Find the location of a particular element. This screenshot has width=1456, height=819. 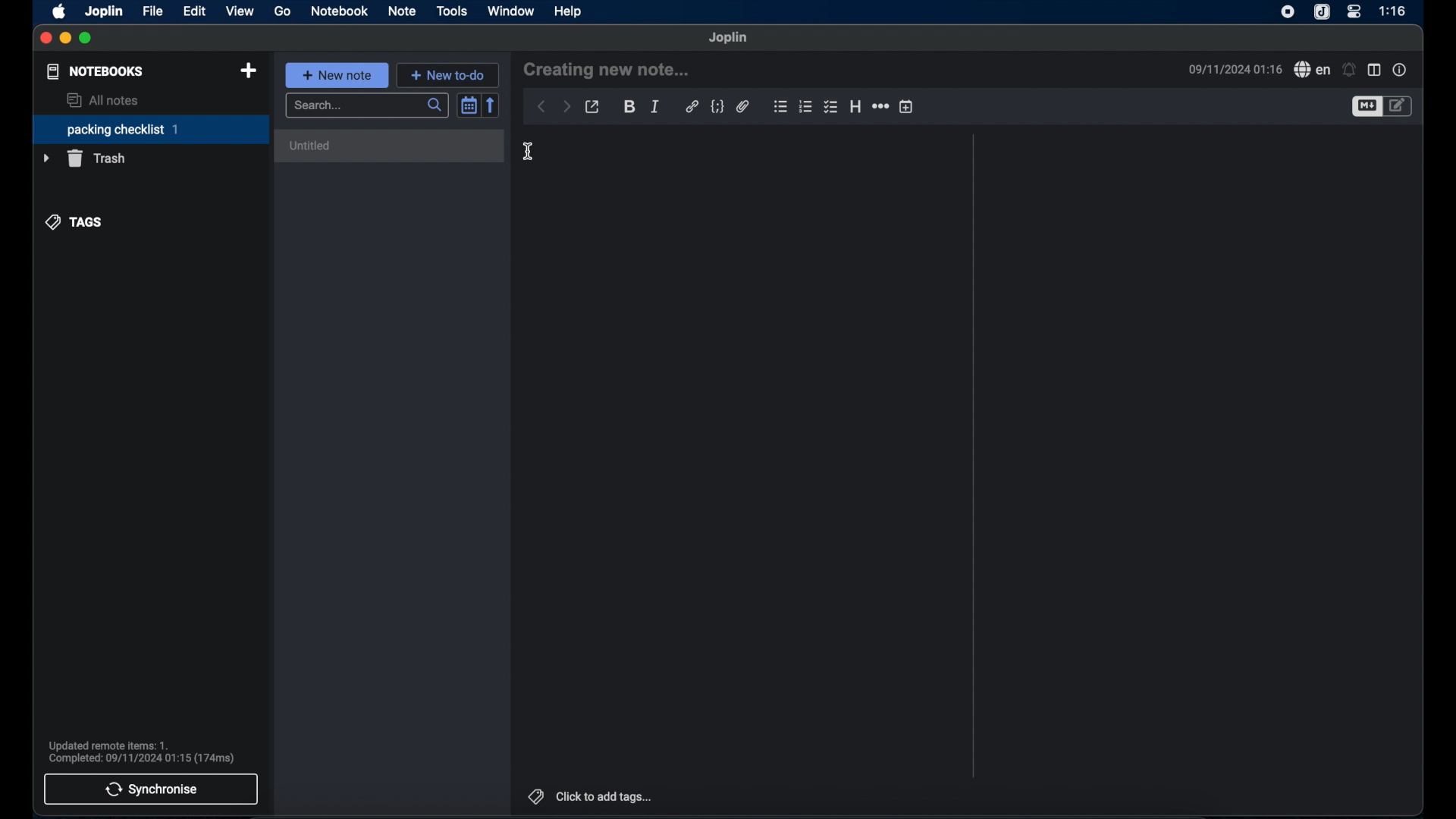

reverse sort order is located at coordinates (491, 105).